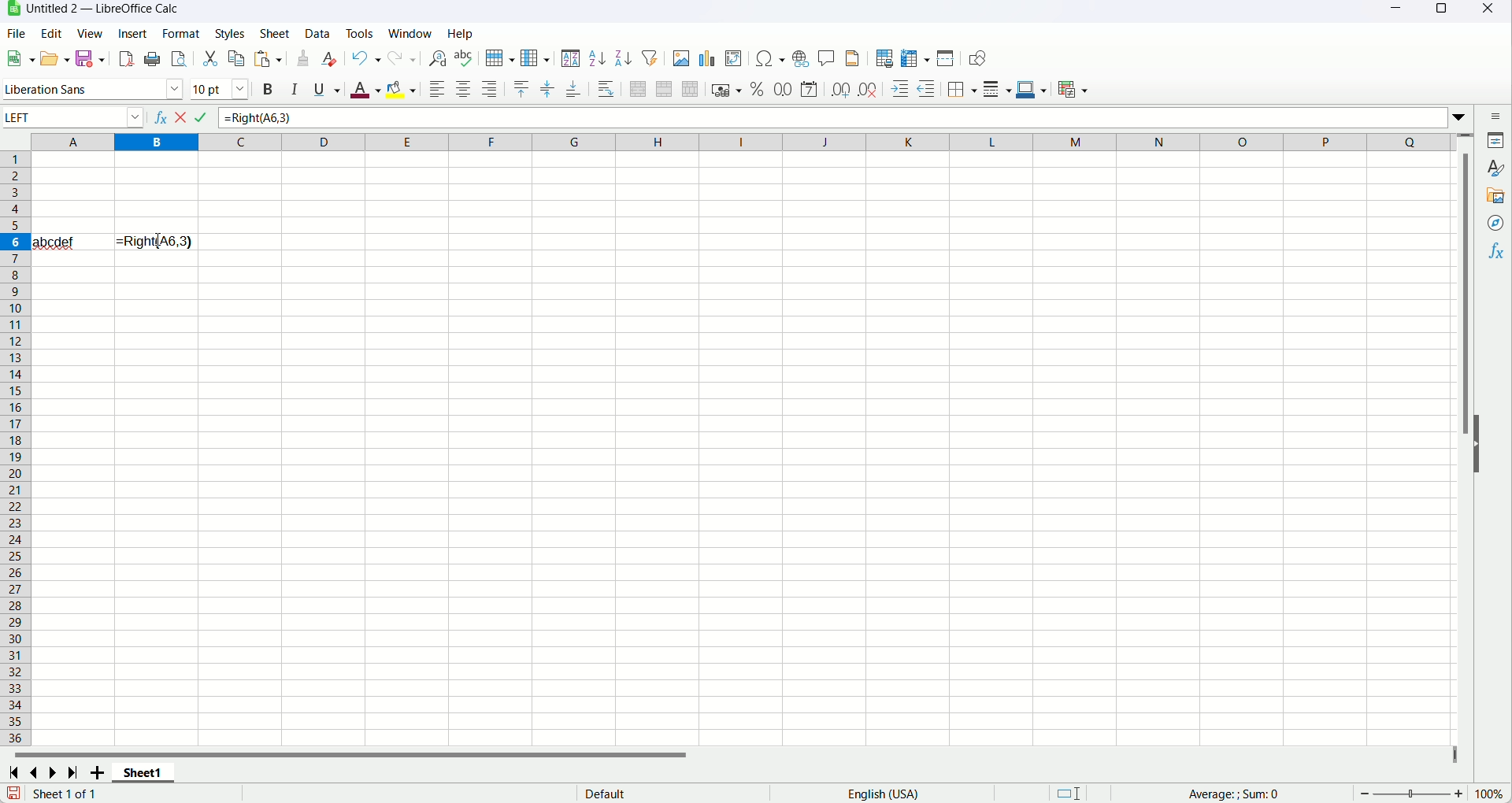 This screenshot has width=1512, height=803. What do you see at coordinates (183, 117) in the screenshot?
I see `cancel` at bounding box center [183, 117].